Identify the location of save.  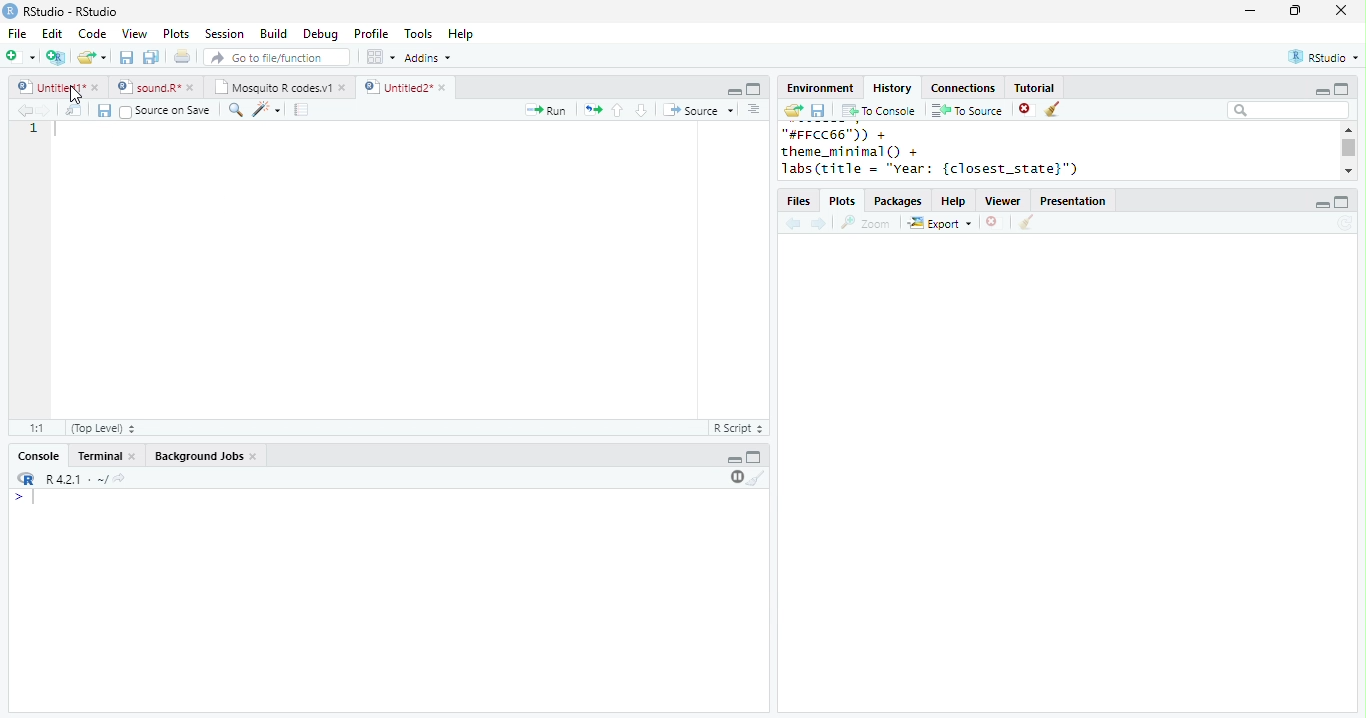
(126, 57).